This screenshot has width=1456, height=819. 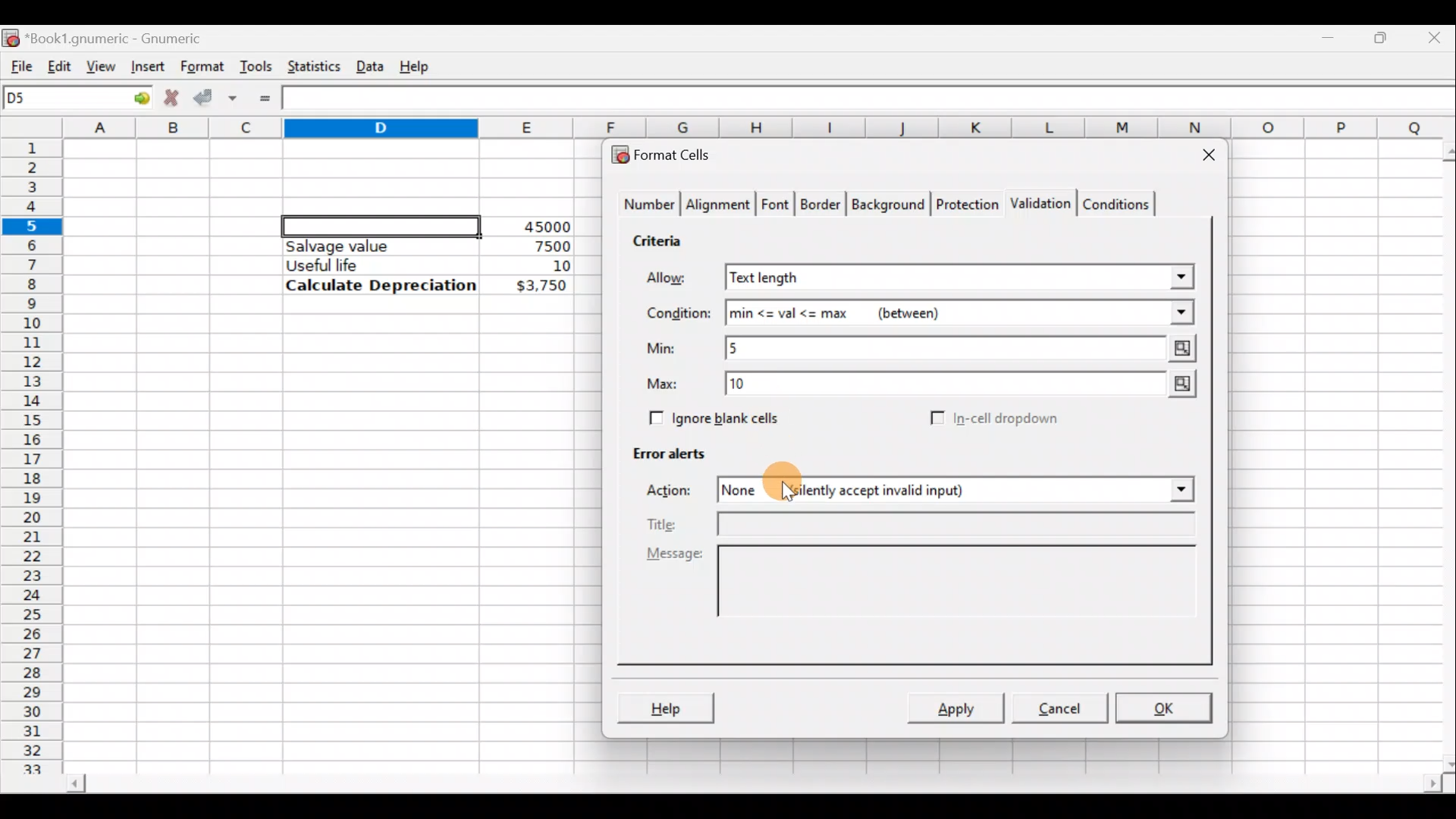 What do you see at coordinates (777, 206) in the screenshot?
I see `Font` at bounding box center [777, 206].